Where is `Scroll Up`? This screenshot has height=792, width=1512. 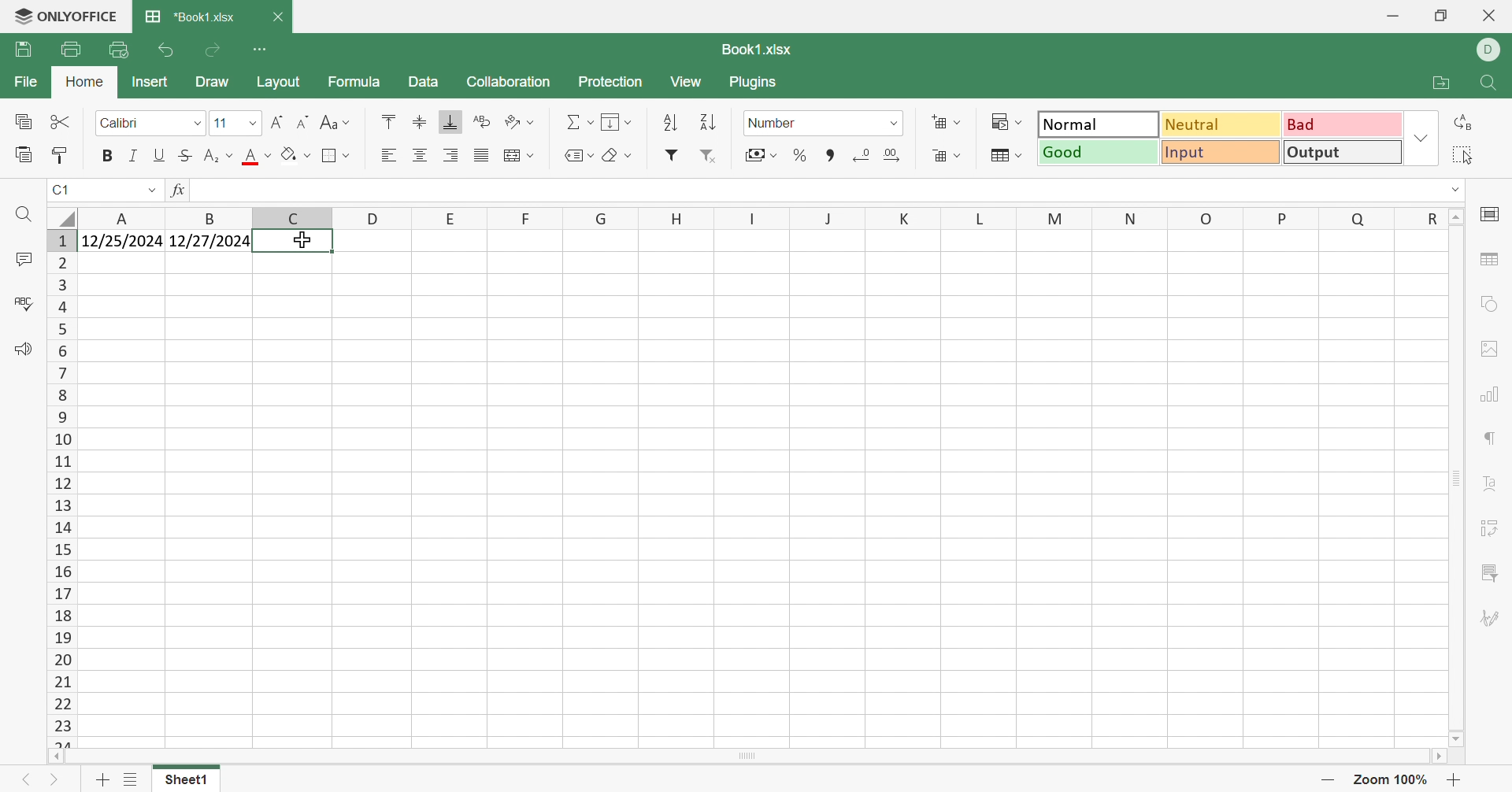
Scroll Up is located at coordinates (1451, 216).